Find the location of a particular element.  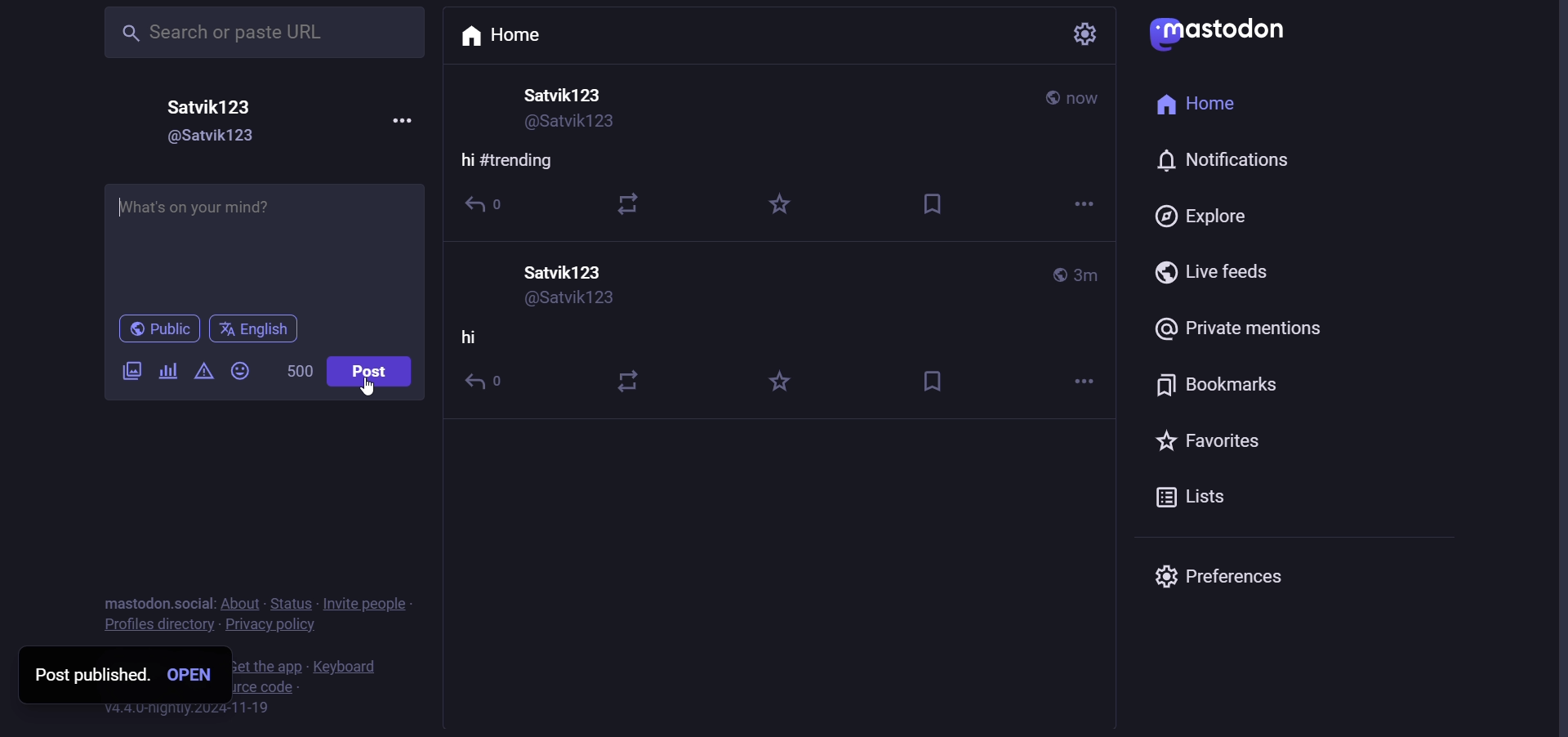

bookmark is located at coordinates (933, 203).